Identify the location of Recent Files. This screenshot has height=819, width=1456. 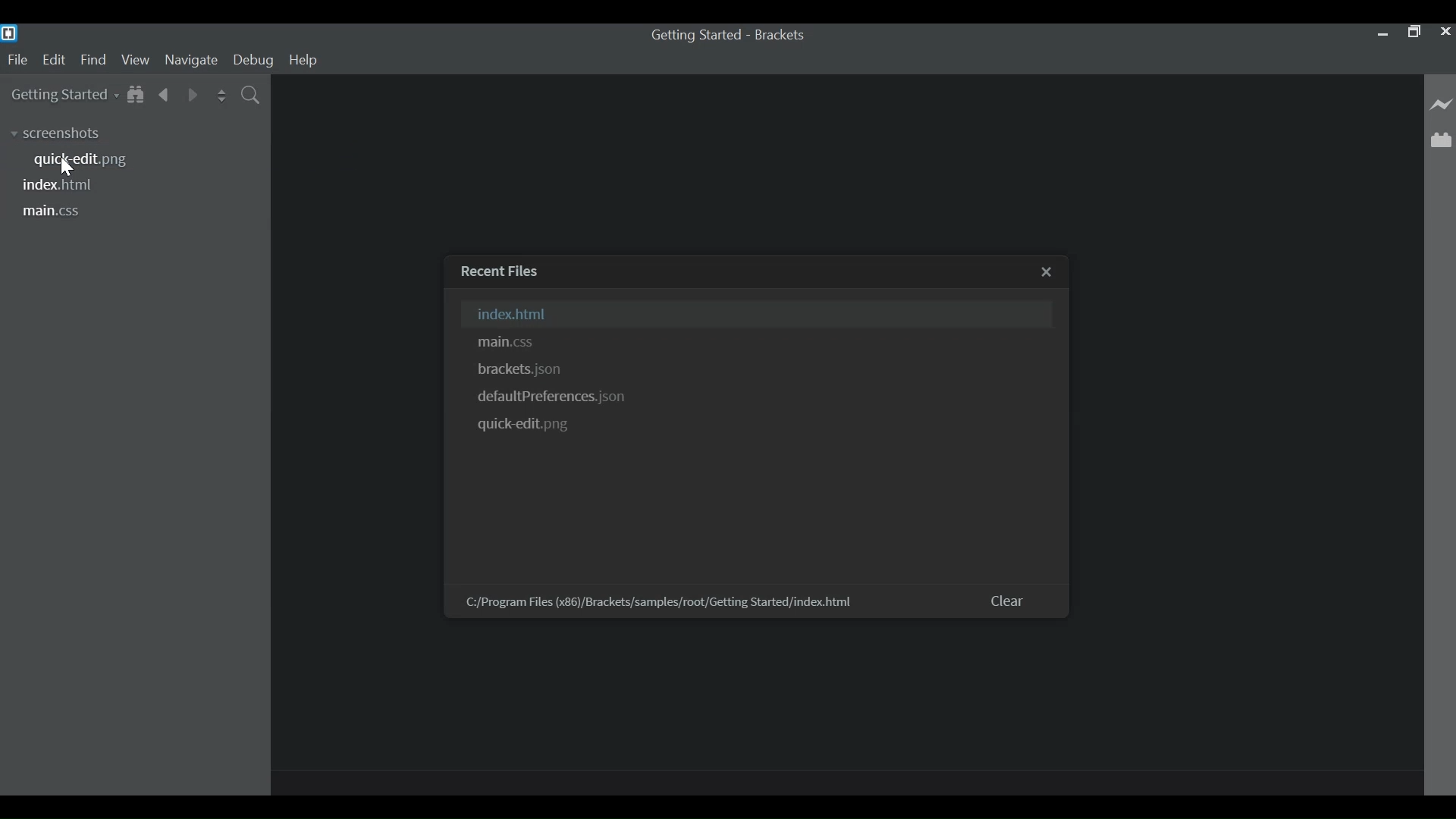
(506, 271).